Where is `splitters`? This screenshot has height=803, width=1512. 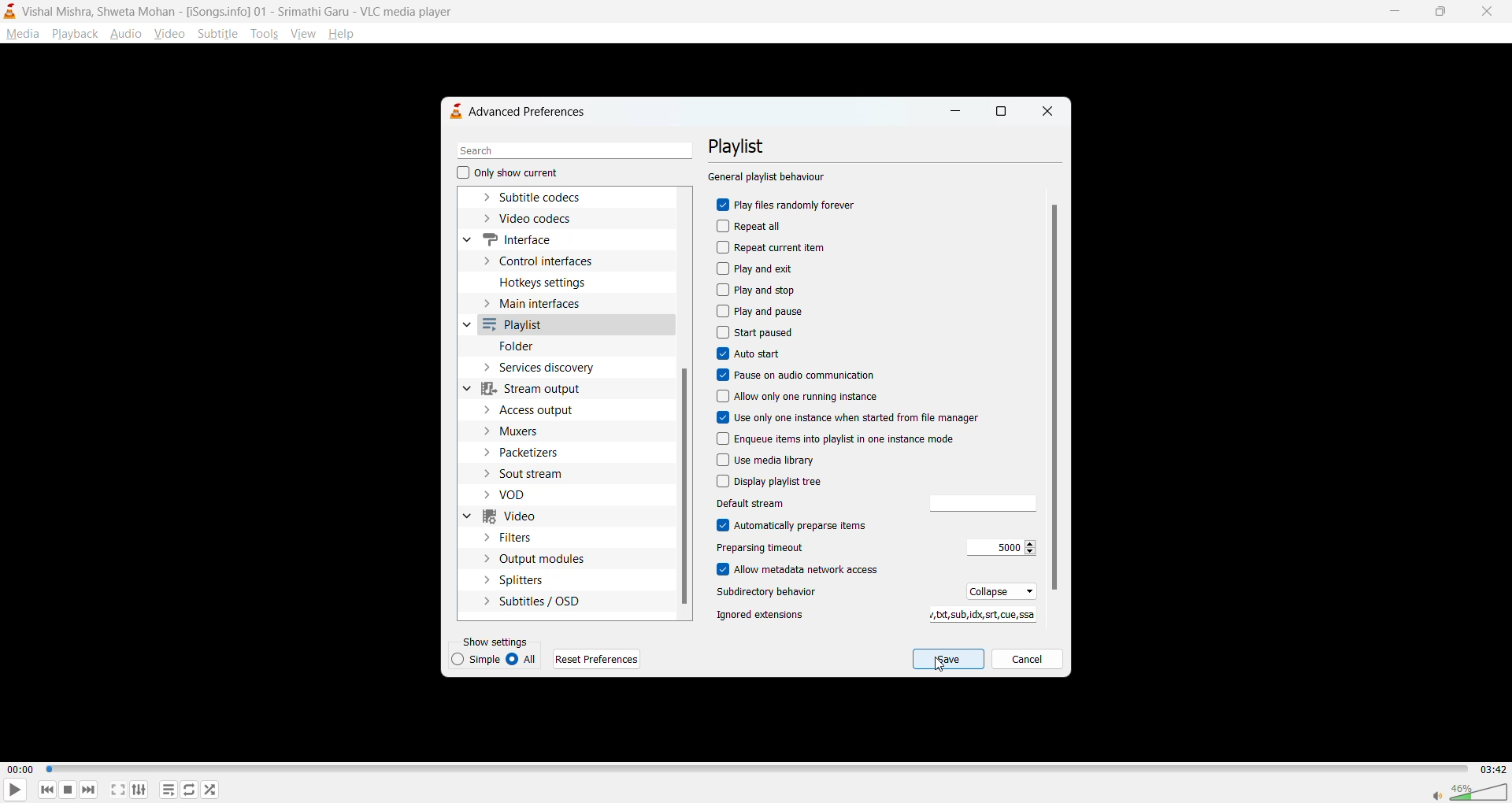 splitters is located at coordinates (514, 580).